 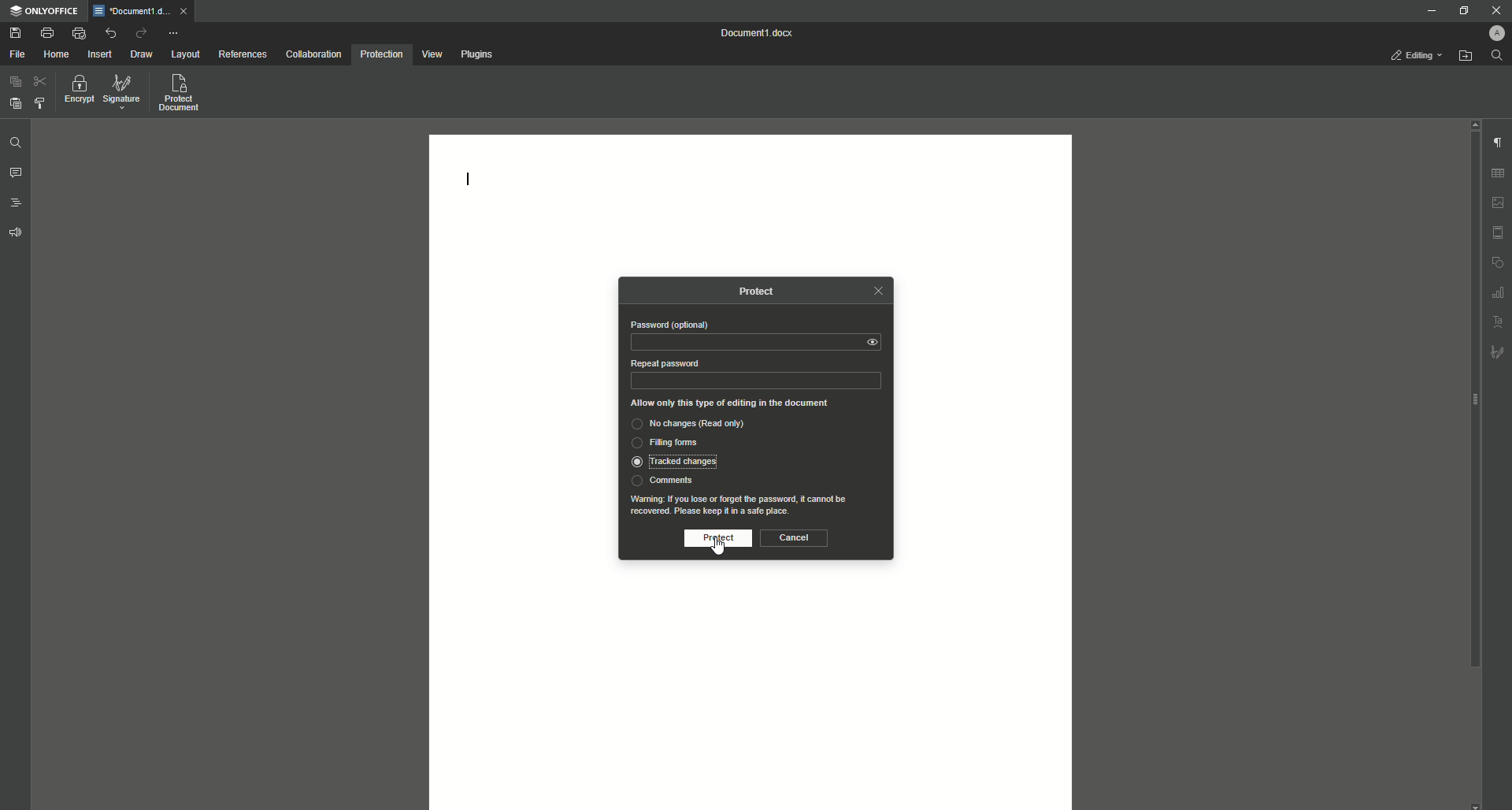 What do you see at coordinates (13, 84) in the screenshot?
I see `Paste` at bounding box center [13, 84].